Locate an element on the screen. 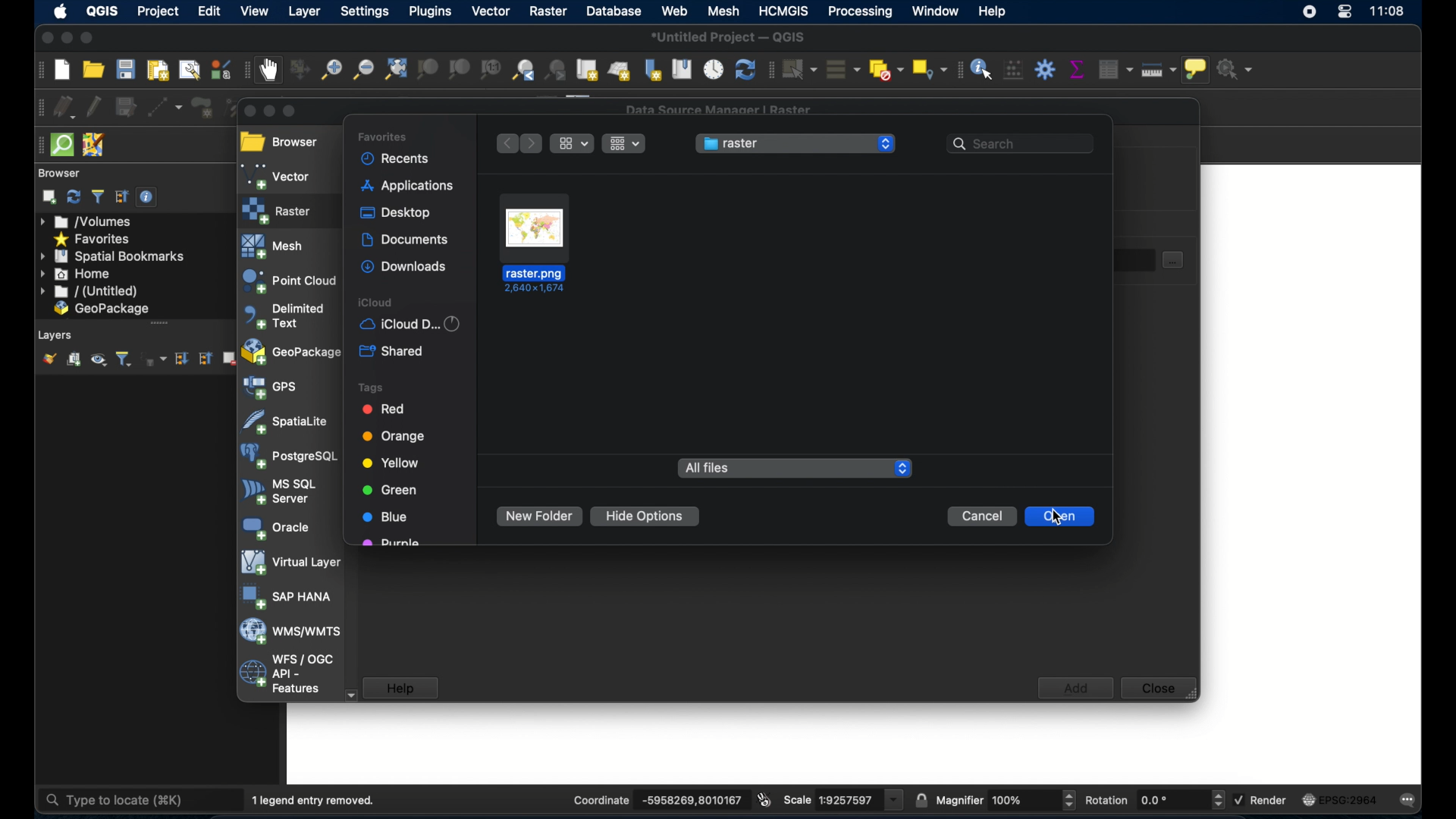 The width and height of the screenshot is (1456, 819). show spatial bookmarks is located at coordinates (681, 69).